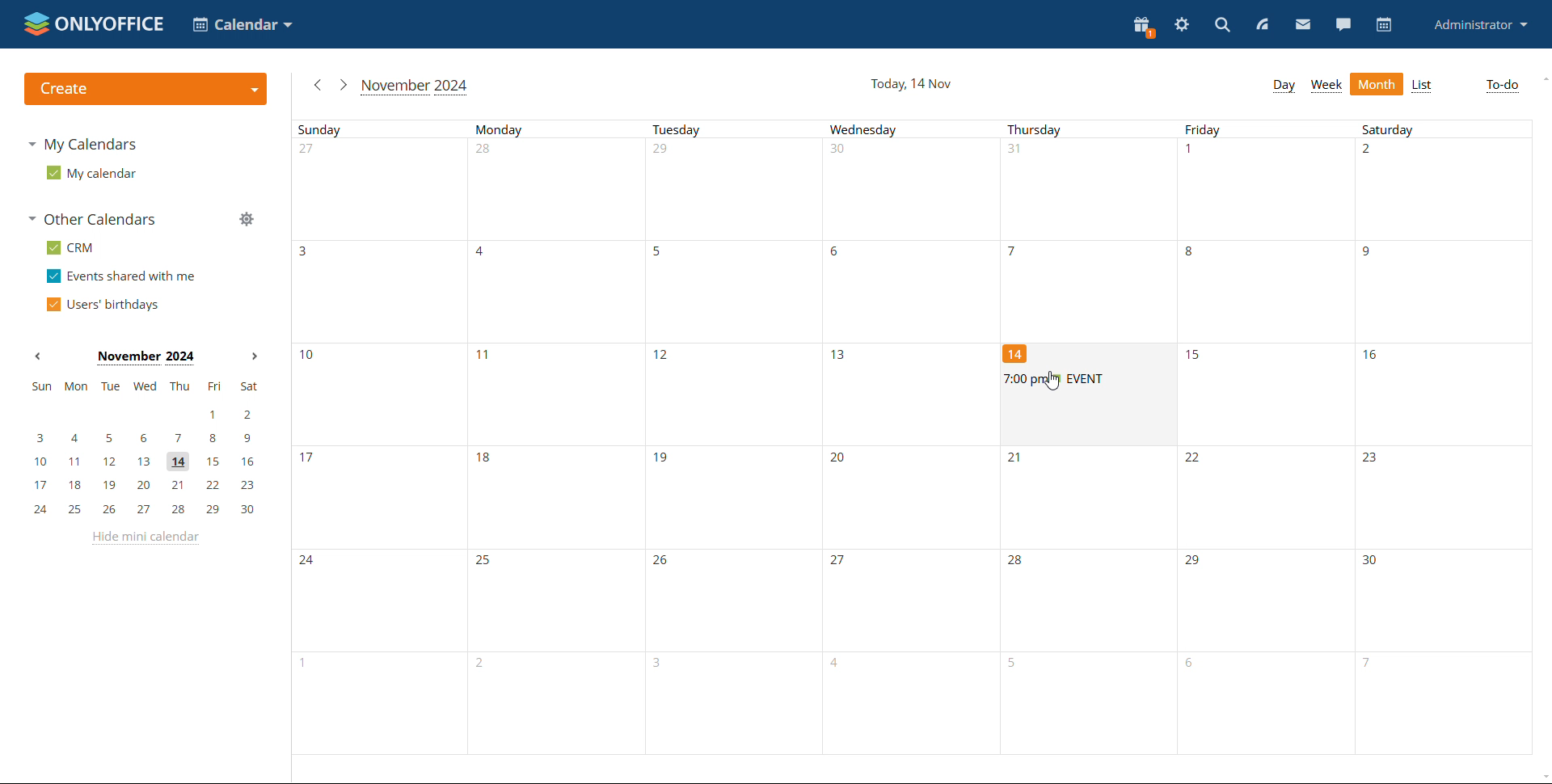 This screenshot has height=784, width=1552. What do you see at coordinates (342, 85) in the screenshot?
I see `next month` at bounding box center [342, 85].